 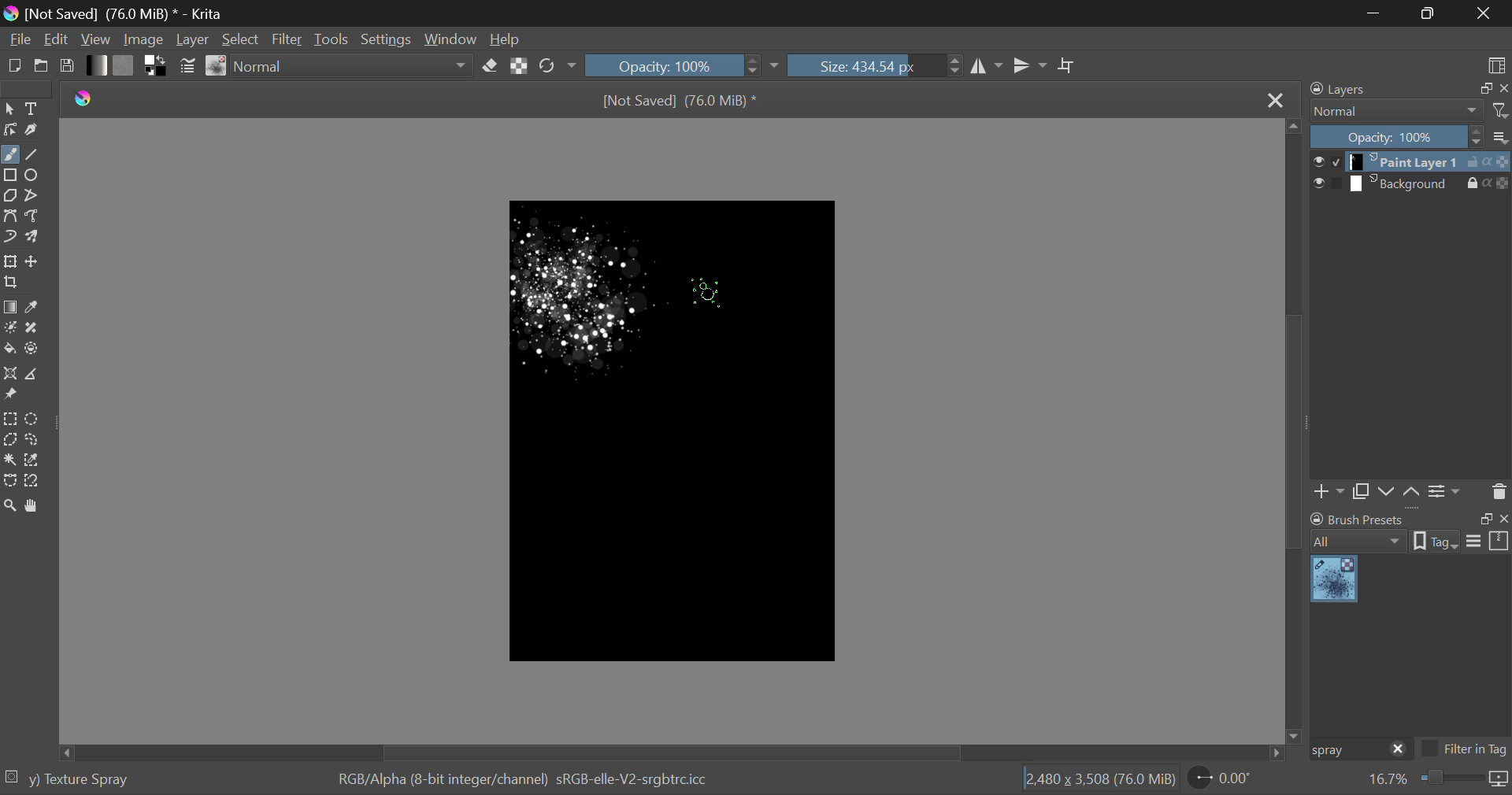 What do you see at coordinates (1488, 162) in the screenshot?
I see `actions` at bounding box center [1488, 162].